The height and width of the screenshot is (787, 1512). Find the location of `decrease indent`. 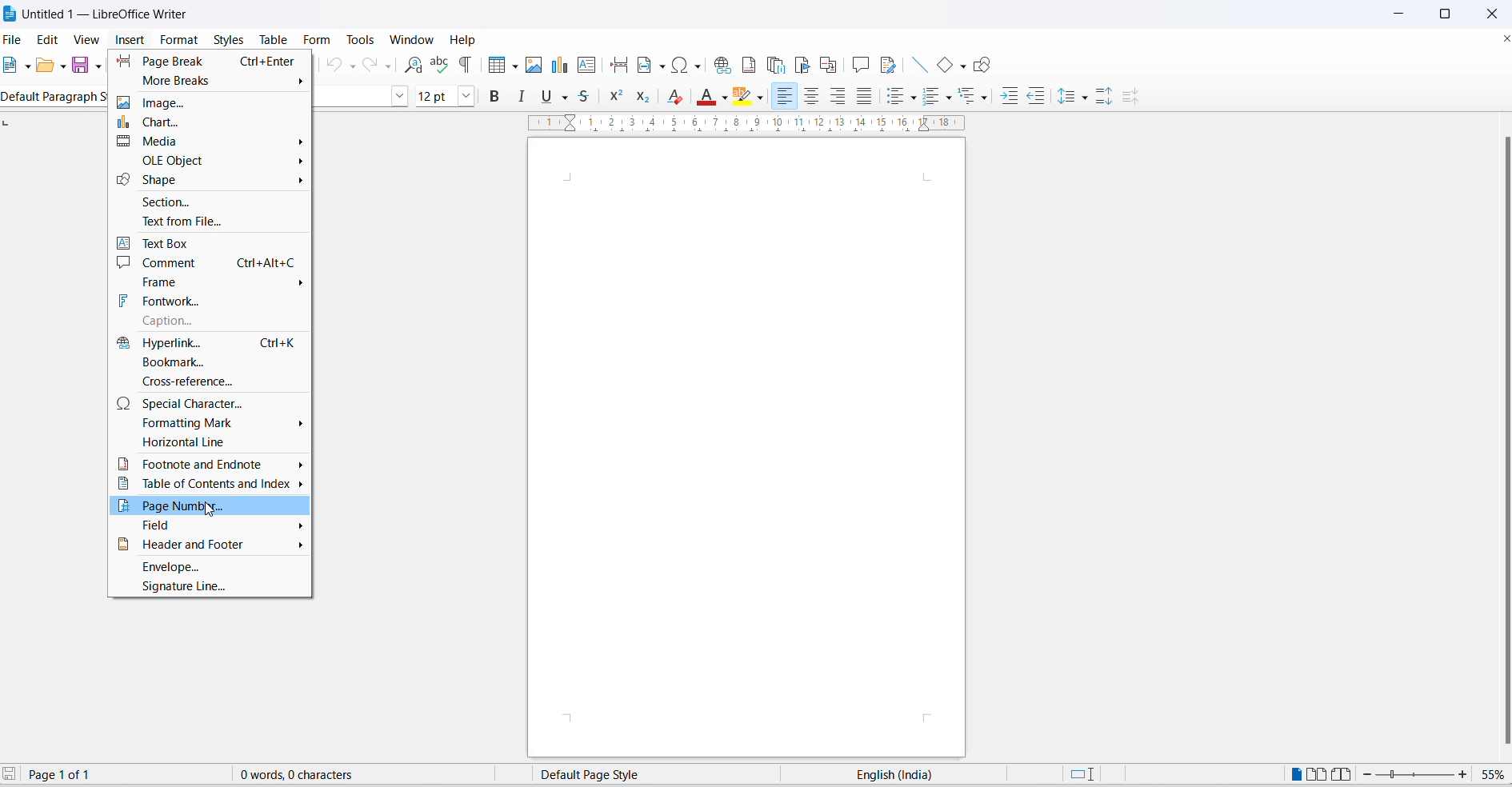

decrease indent is located at coordinates (1035, 97).